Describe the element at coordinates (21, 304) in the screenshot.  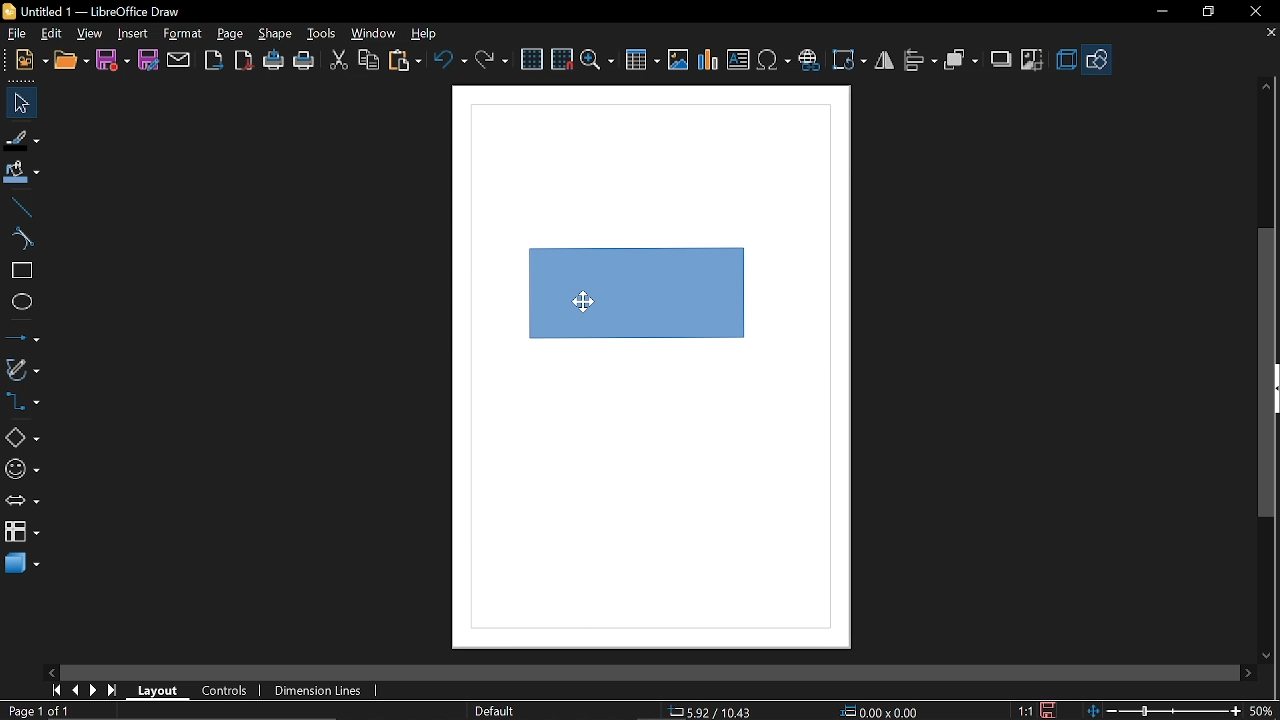
I see `ellipse` at that location.